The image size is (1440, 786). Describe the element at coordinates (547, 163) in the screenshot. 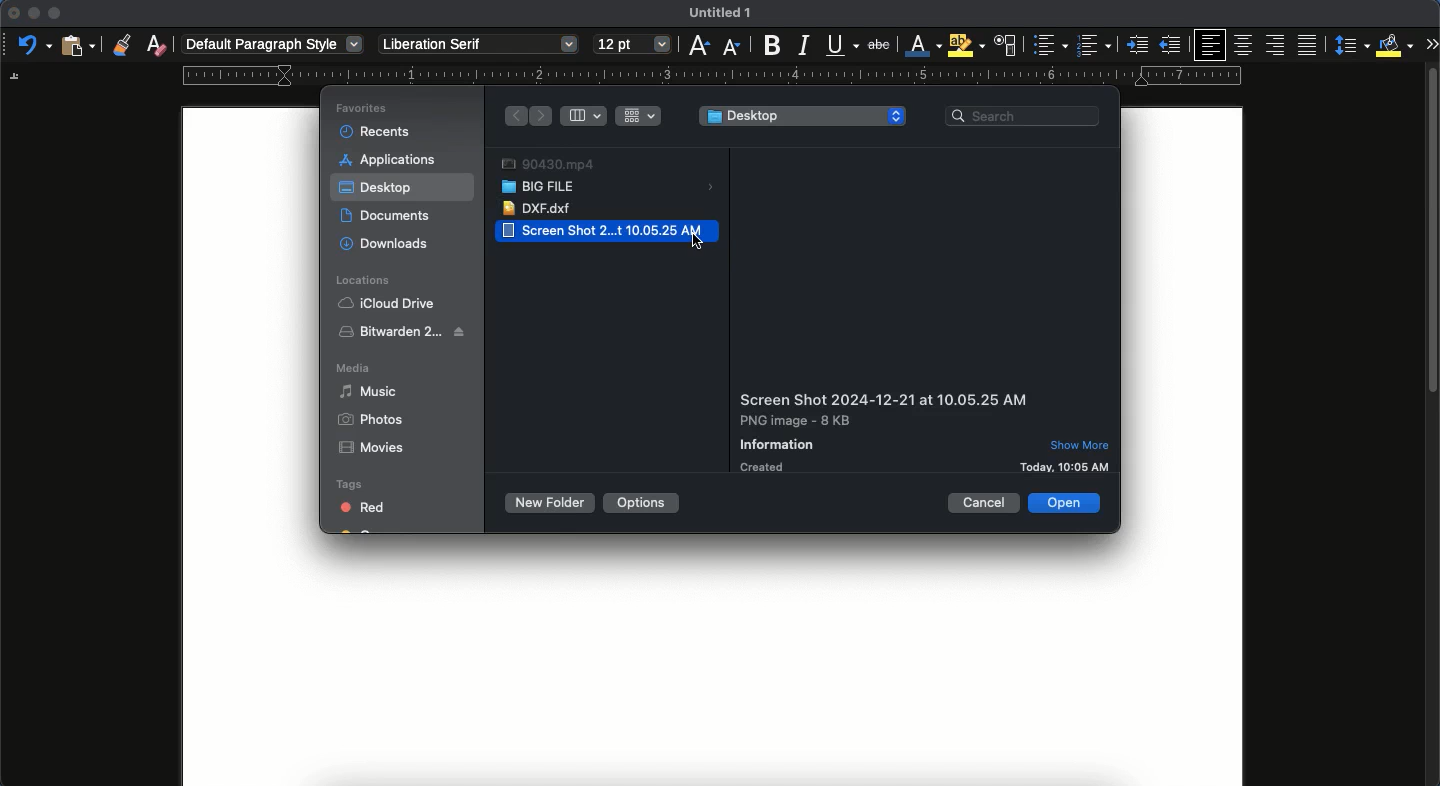

I see `video` at that location.